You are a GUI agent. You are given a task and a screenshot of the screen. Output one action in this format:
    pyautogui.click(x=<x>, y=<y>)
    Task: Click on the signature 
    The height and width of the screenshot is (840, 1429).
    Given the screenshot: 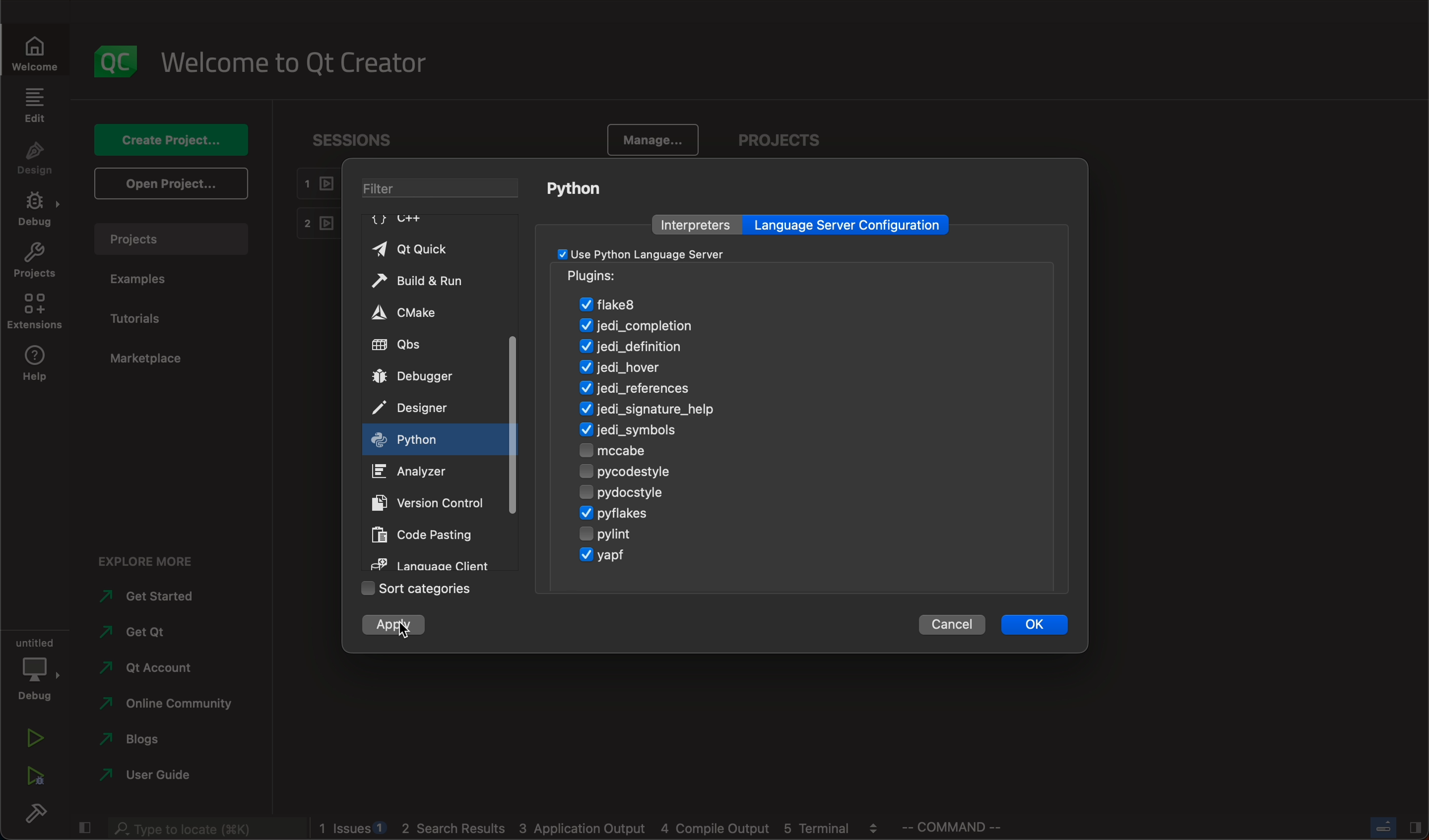 What is the action you would take?
    pyautogui.click(x=657, y=411)
    